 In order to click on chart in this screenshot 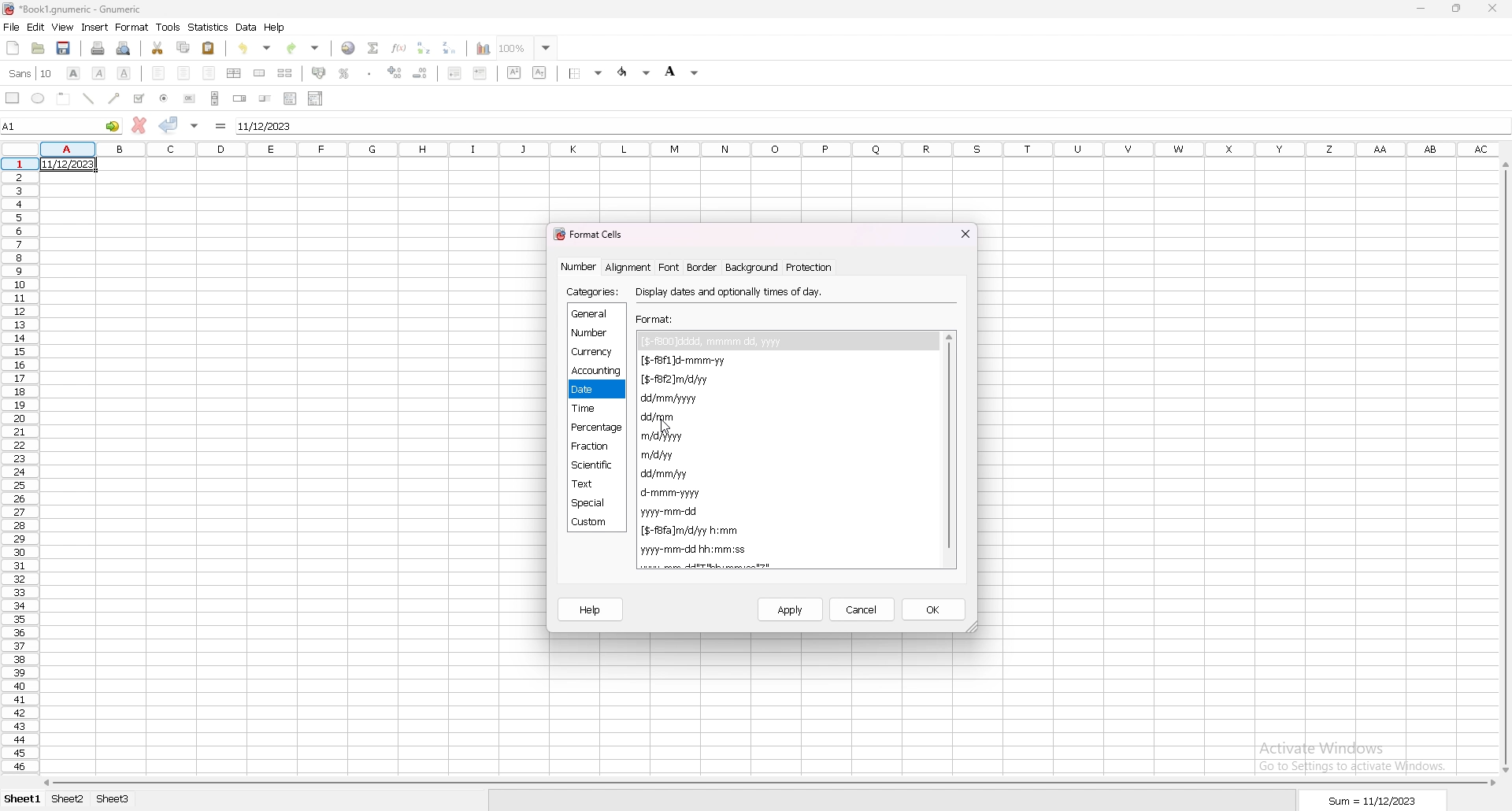, I will do `click(484, 49)`.